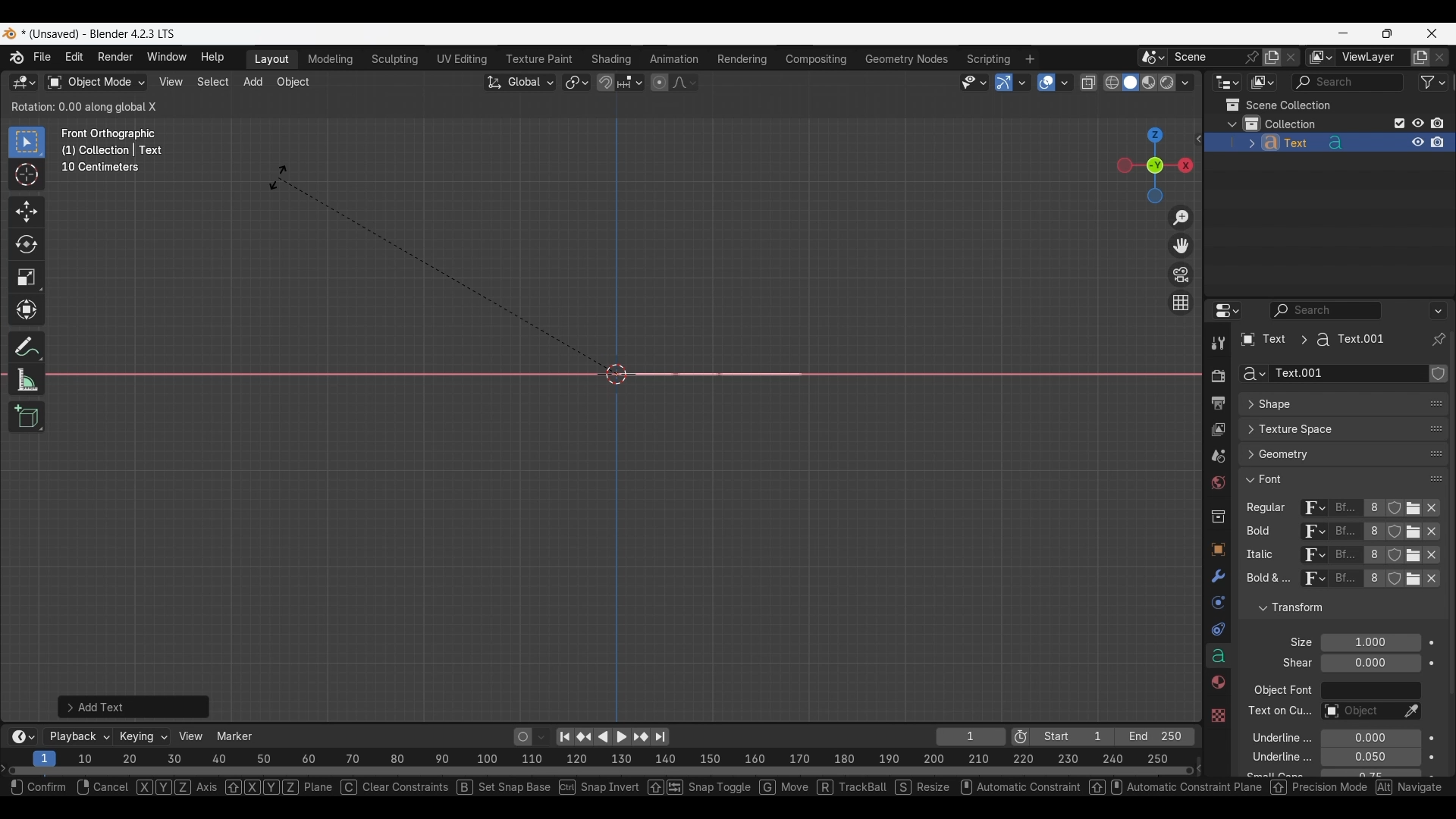 This screenshot has width=1456, height=819. What do you see at coordinates (1434, 455) in the screenshot?
I see `change position` at bounding box center [1434, 455].